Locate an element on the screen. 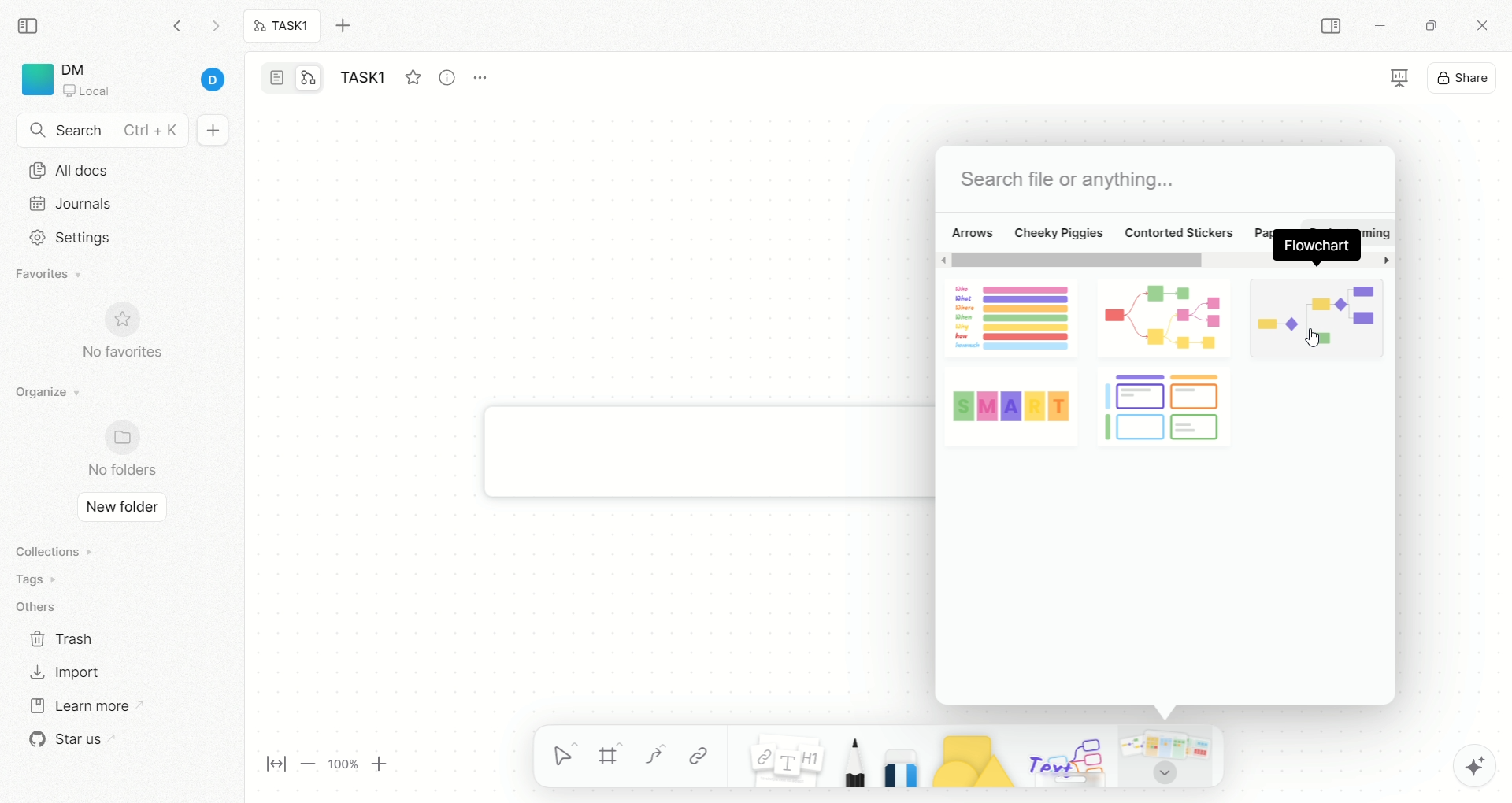 The image size is (1512, 803). favorites is located at coordinates (51, 276).